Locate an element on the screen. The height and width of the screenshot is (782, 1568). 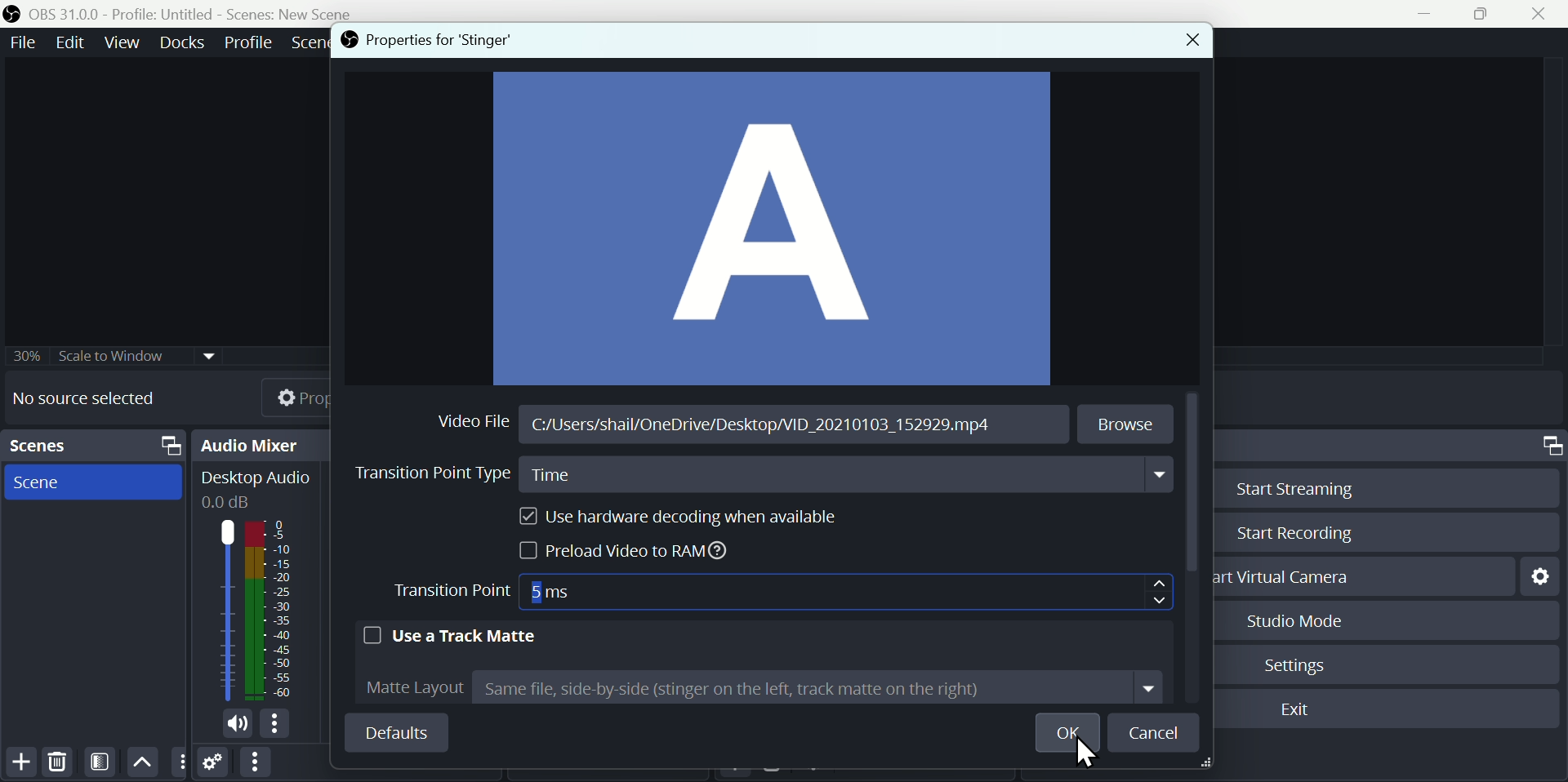
More options is located at coordinates (254, 763).